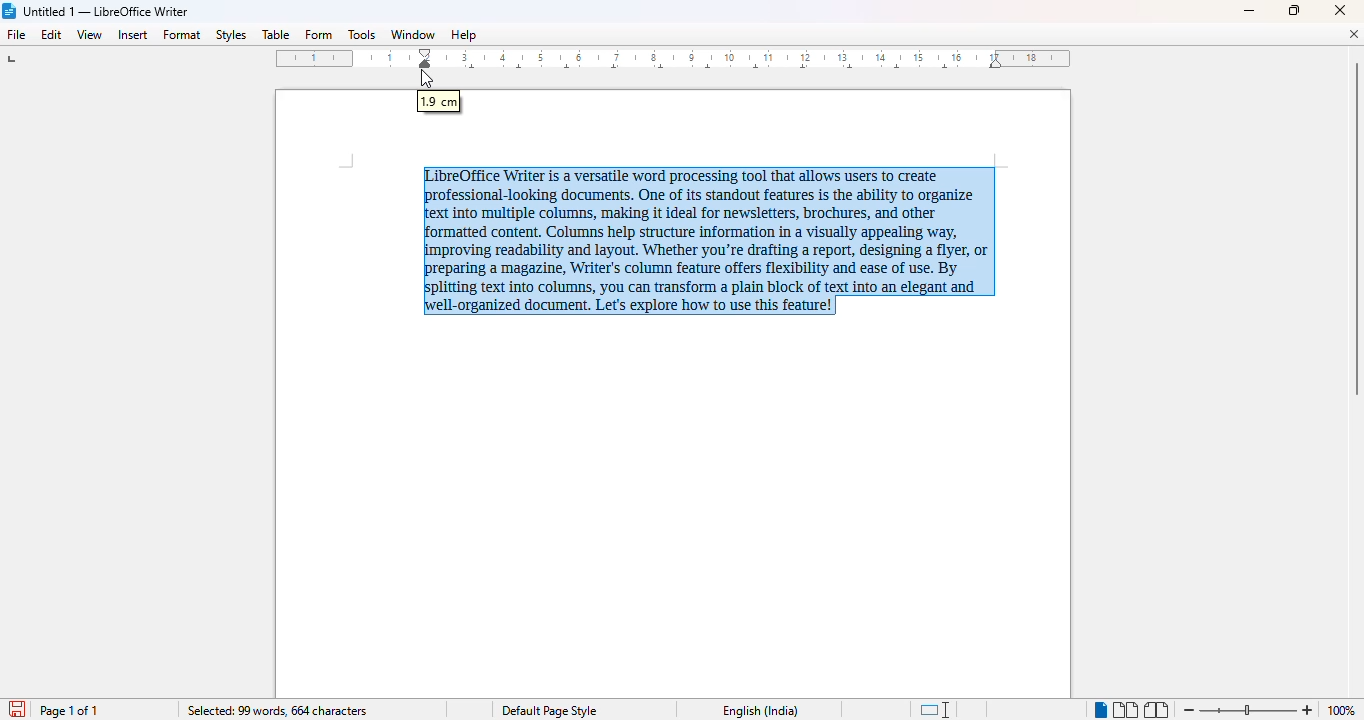 The image size is (1364, 720). Describe the element at coordinates (1309, 710) in the screenshot. I see `zoom in` at that location.